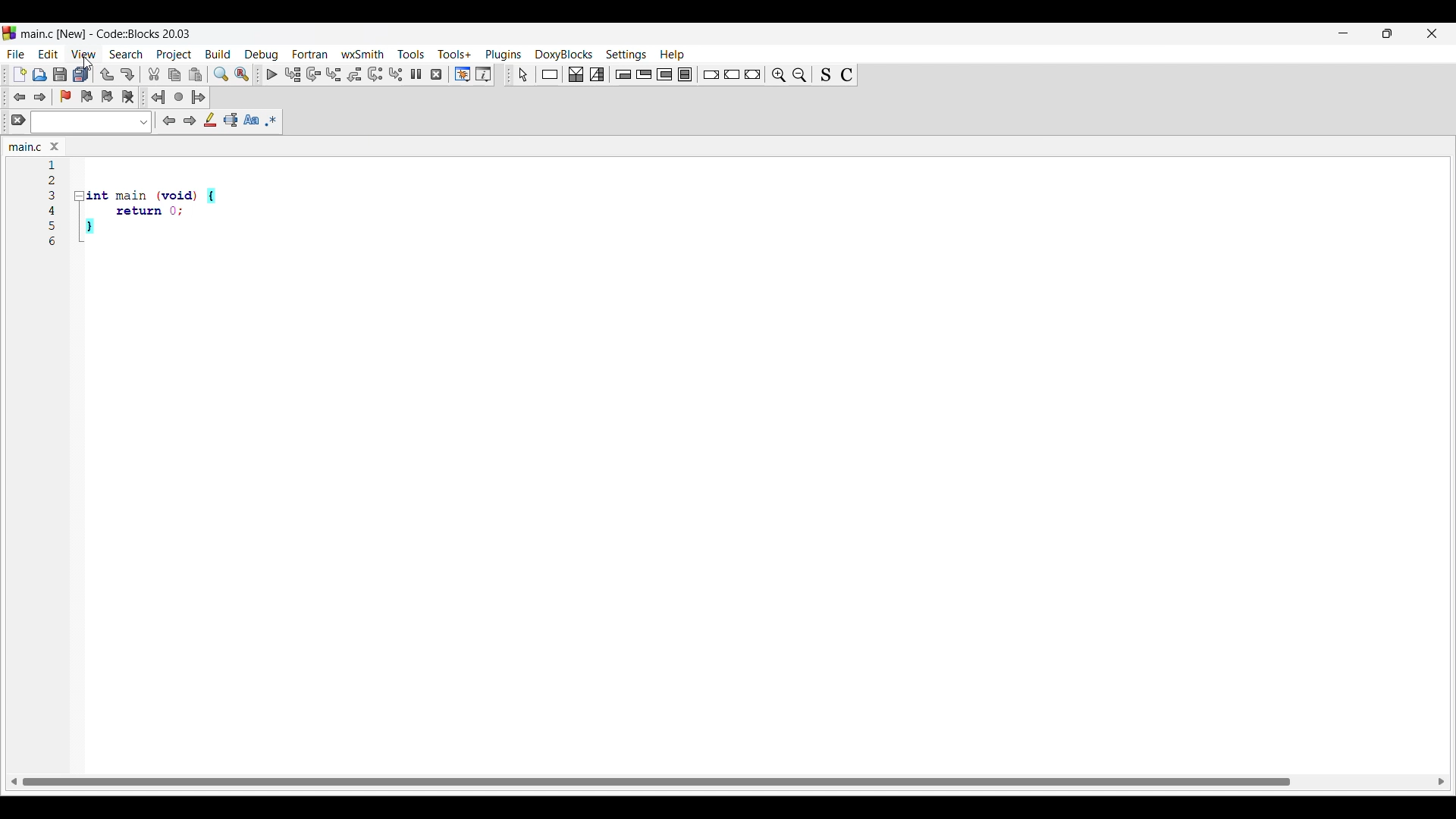  I want to click on Highlight, so click(210, 119).